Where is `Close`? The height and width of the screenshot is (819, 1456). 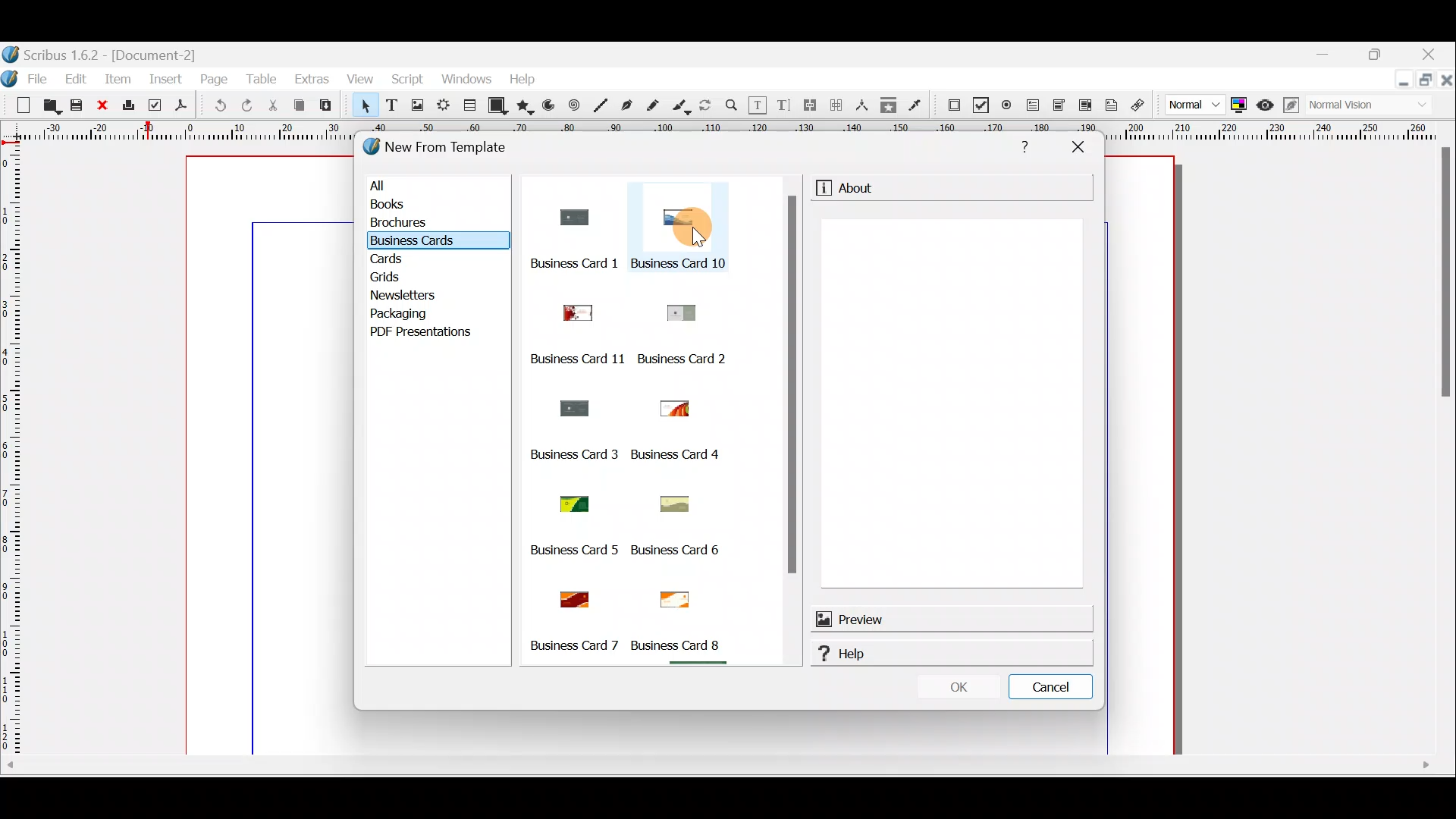
Close is located at coordinates (103, 106).